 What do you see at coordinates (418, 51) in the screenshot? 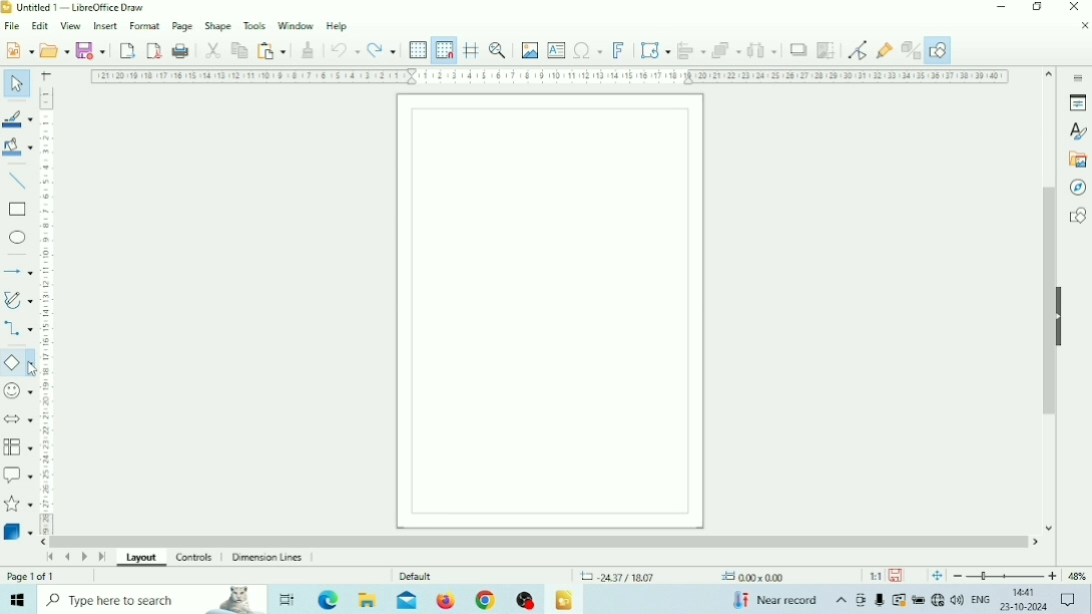
I see `Display Grid` at bounding box center [418, 51].